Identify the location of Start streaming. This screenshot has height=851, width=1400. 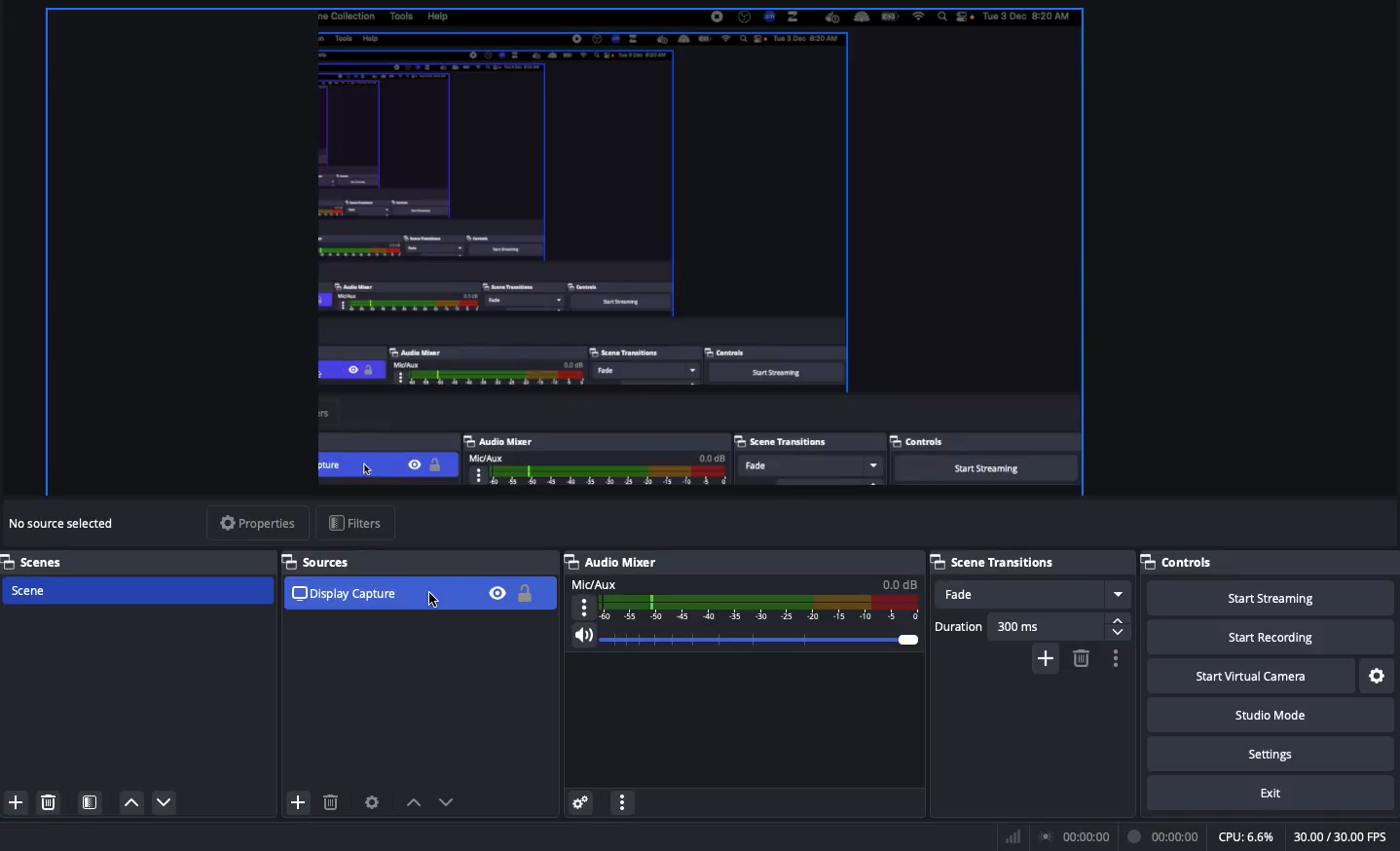
(1269, 599).